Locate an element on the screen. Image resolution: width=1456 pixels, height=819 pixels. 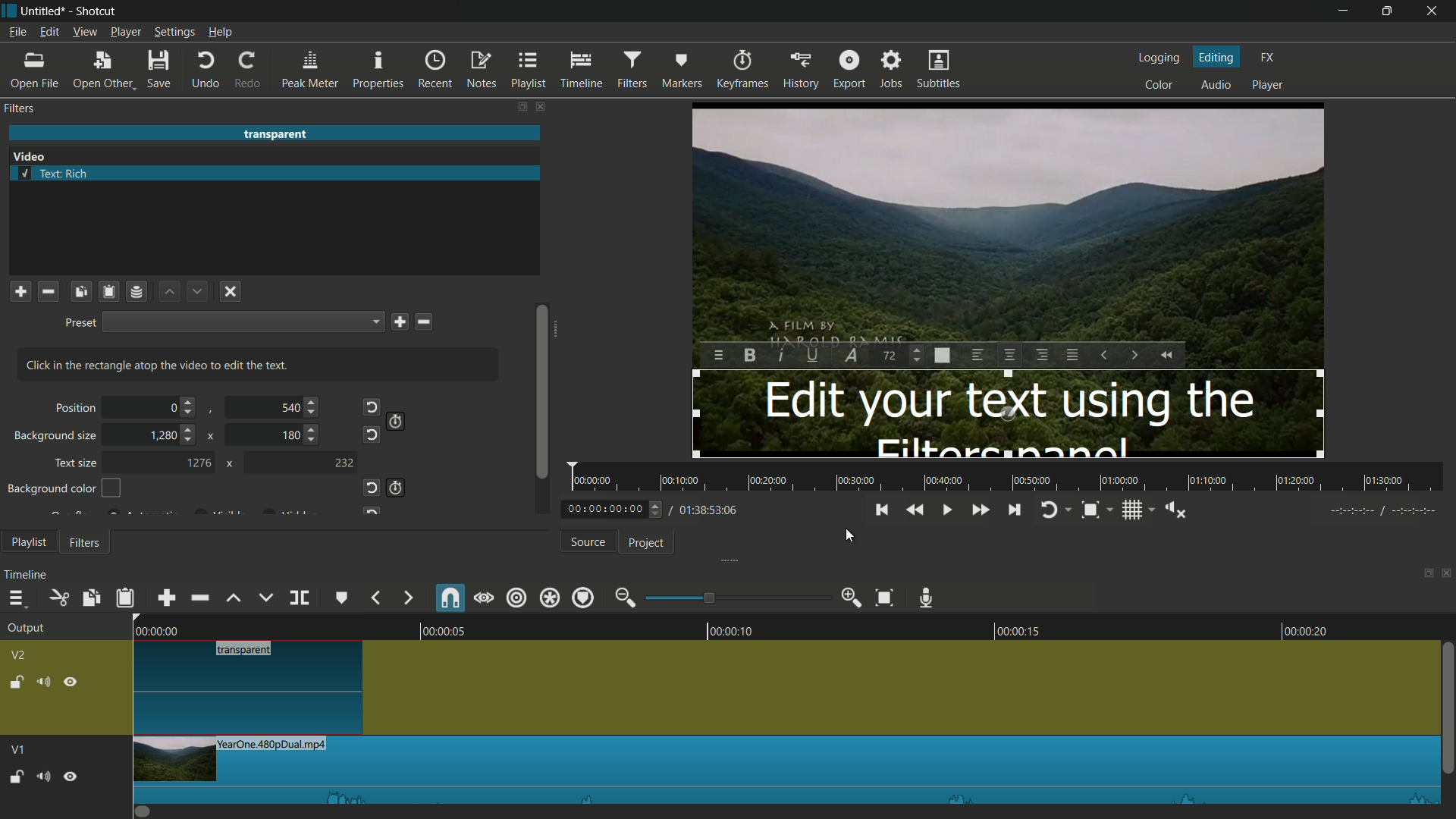
audio is located at coordinates (1216, 84).